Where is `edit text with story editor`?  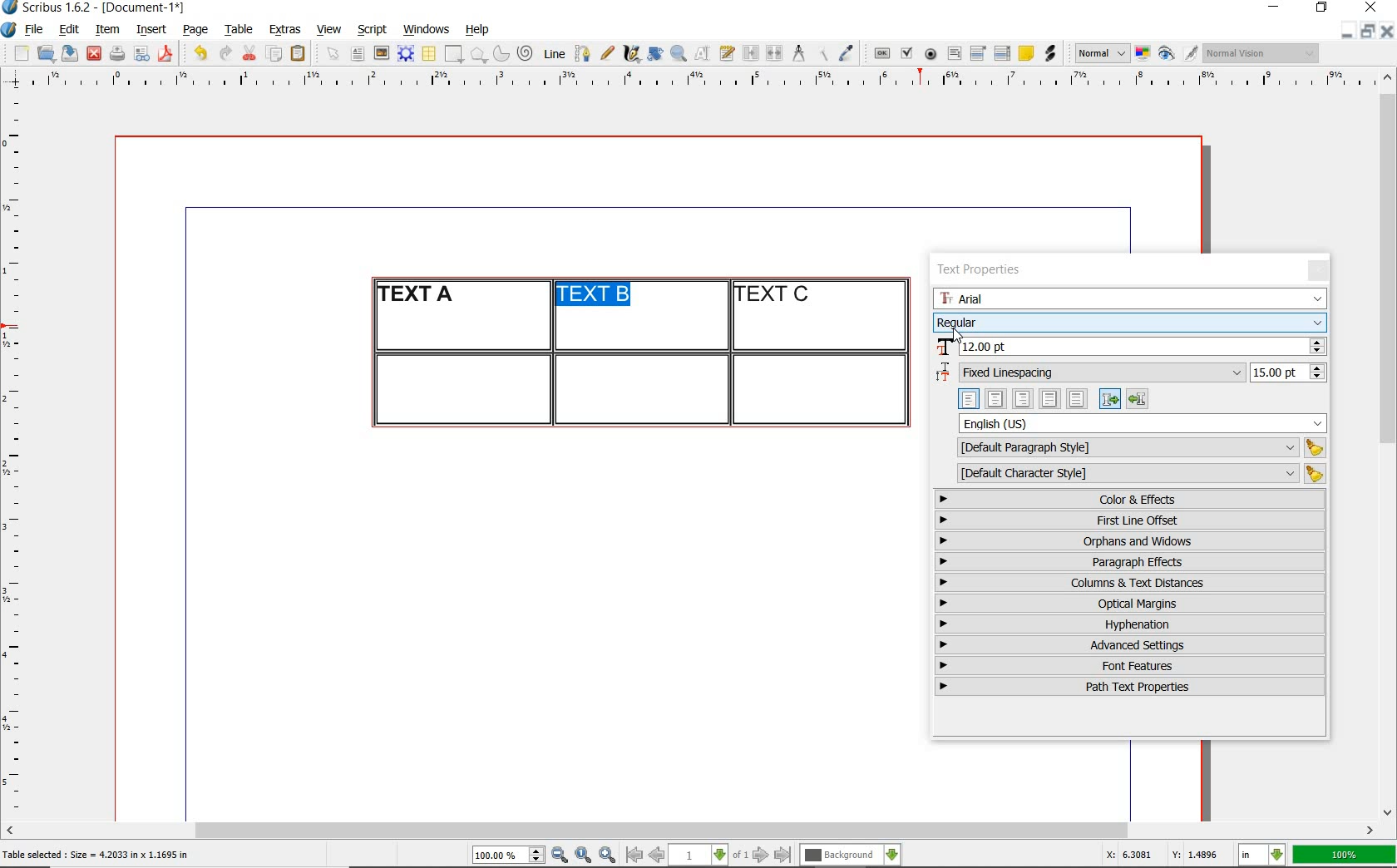 edit text with story editor is located at coordinates (727, 52).